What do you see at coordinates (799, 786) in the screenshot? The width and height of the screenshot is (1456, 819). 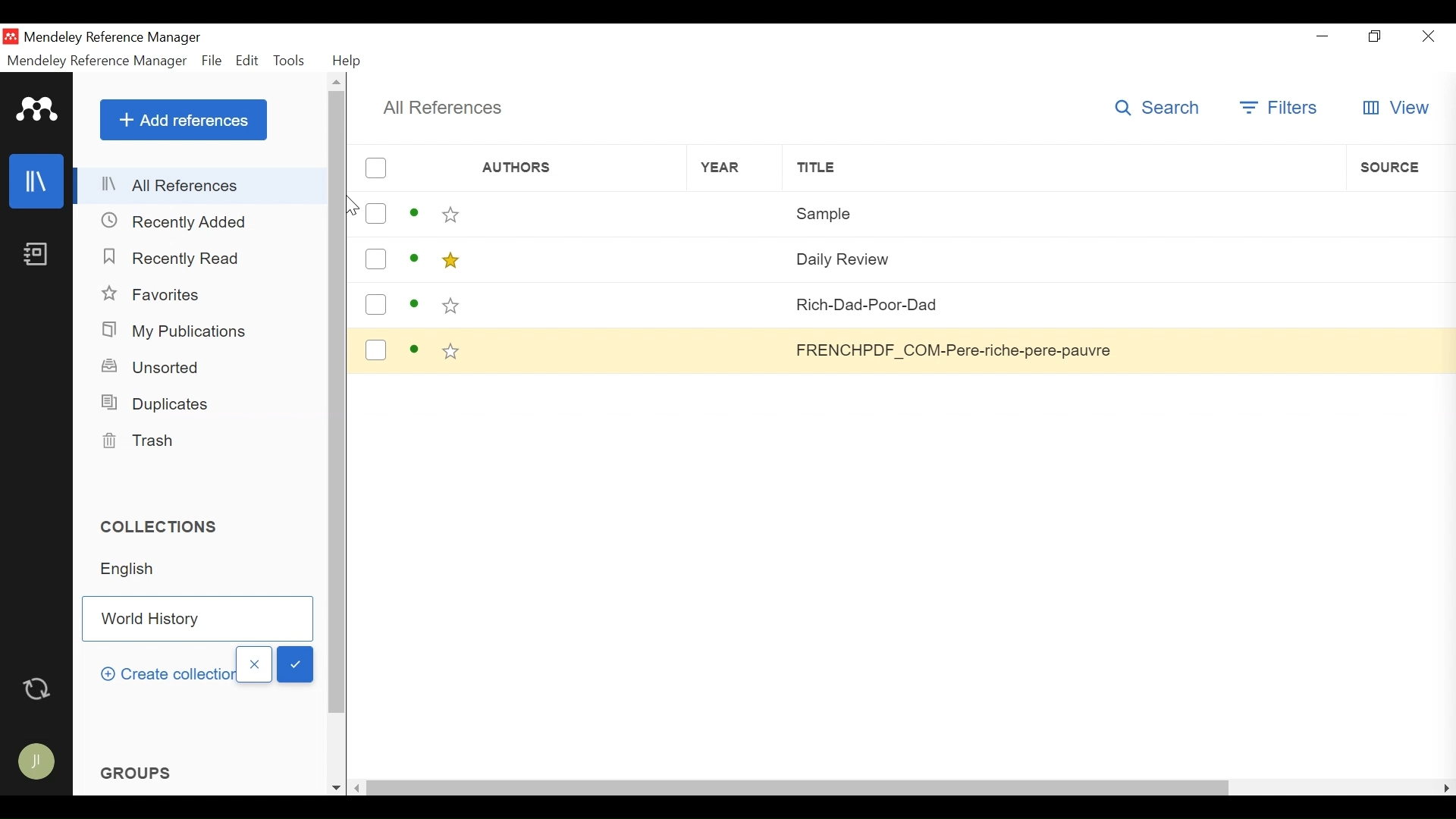 I see `Horizontal scroll bar` at bounding box center [799, 786].